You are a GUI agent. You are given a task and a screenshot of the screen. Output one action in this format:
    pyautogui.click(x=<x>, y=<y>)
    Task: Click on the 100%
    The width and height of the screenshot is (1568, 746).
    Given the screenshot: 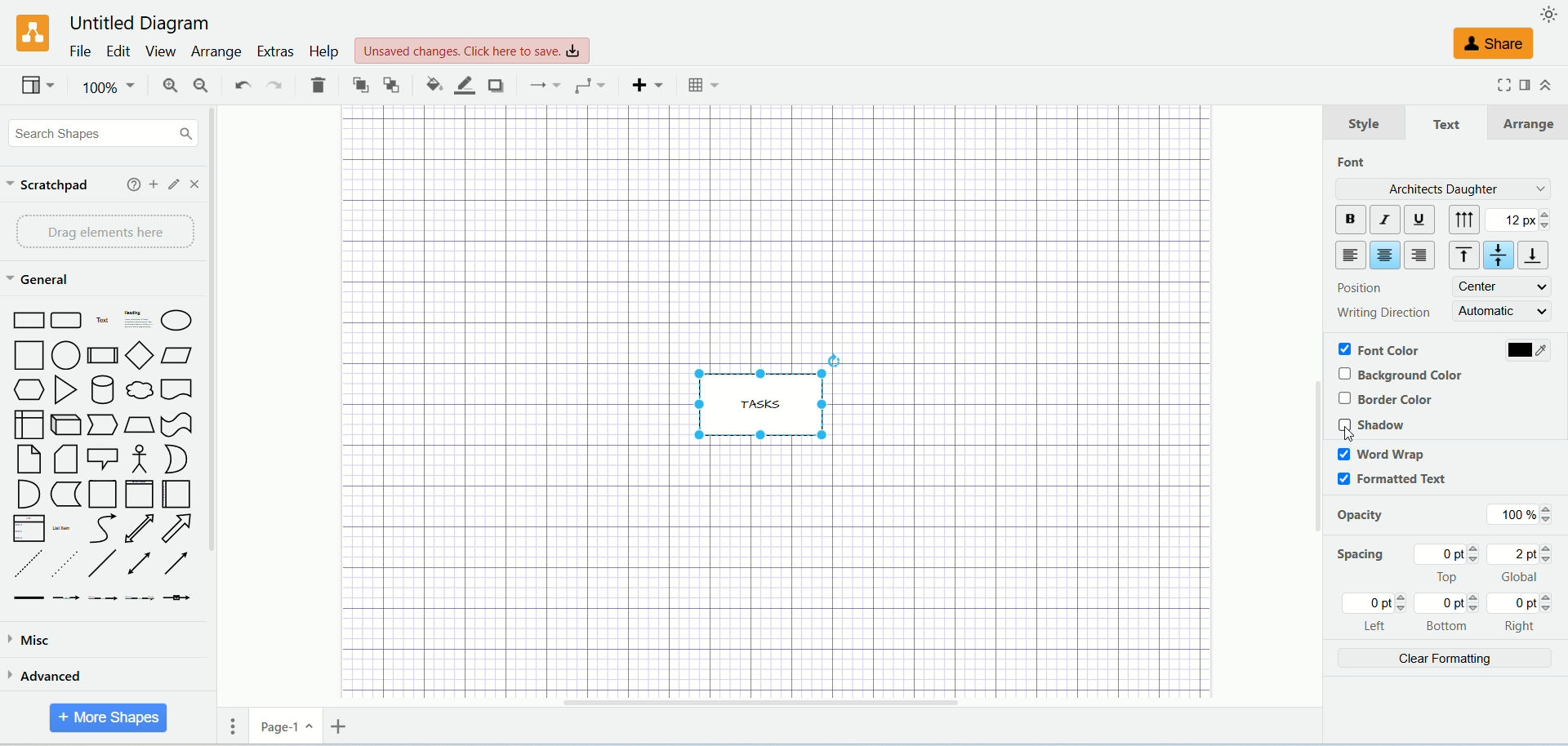 What is the action you would take?
    pyautogui.click(x=106, y=87)
    